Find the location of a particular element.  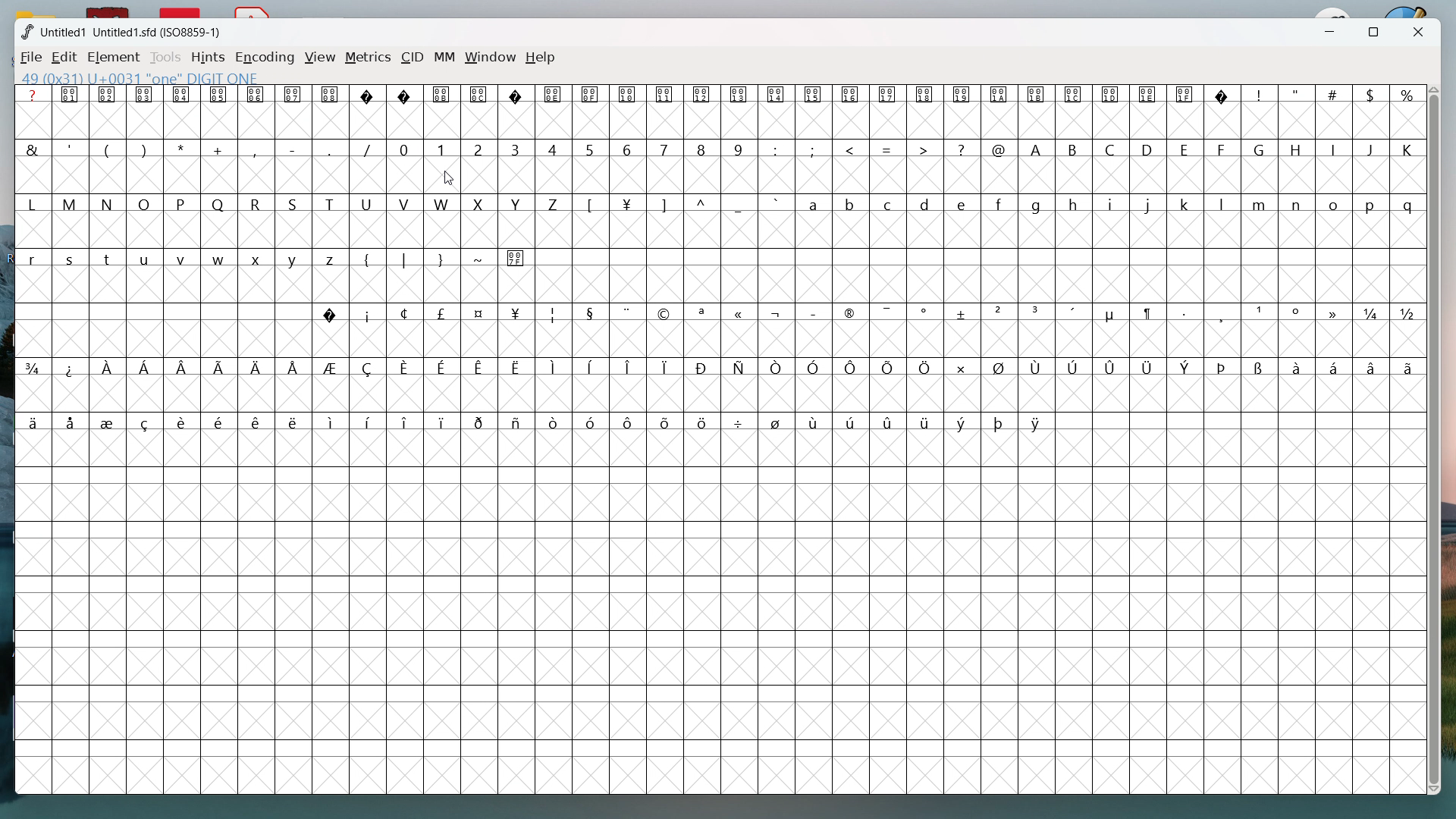

symbol is located at coordinates (1372, 367).